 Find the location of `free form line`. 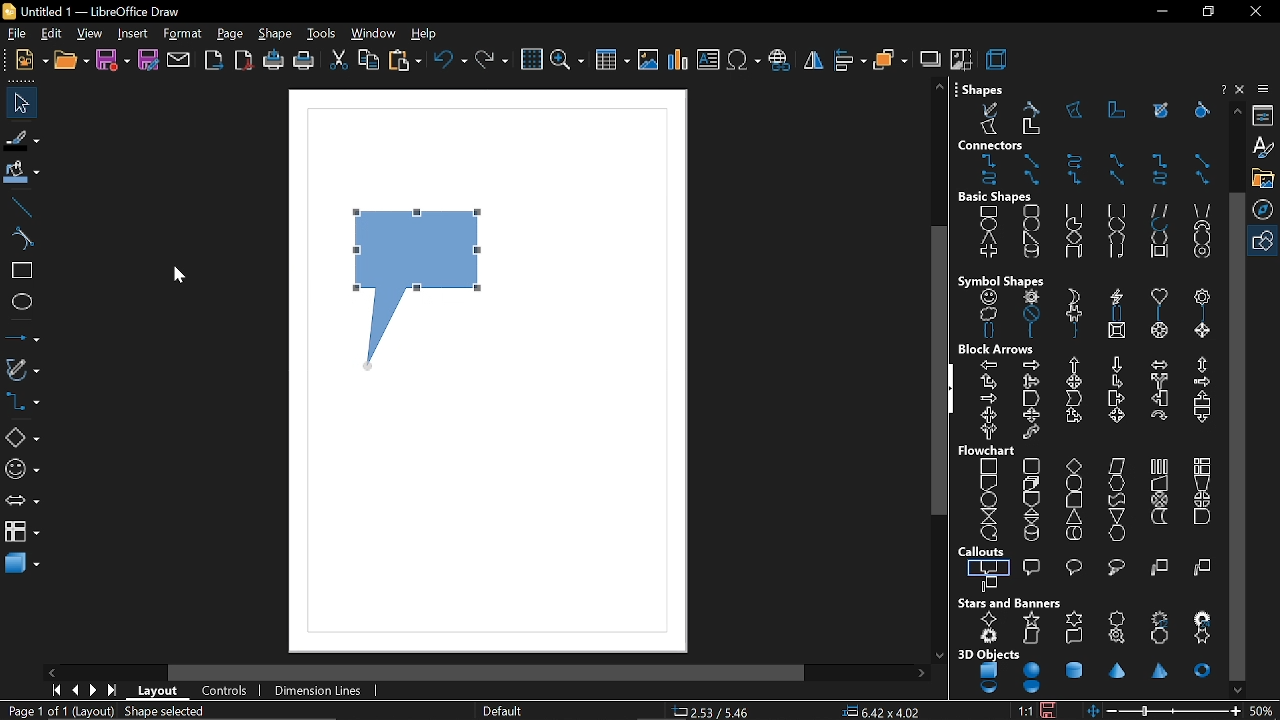

free form line is located at coordinates (988, 108).